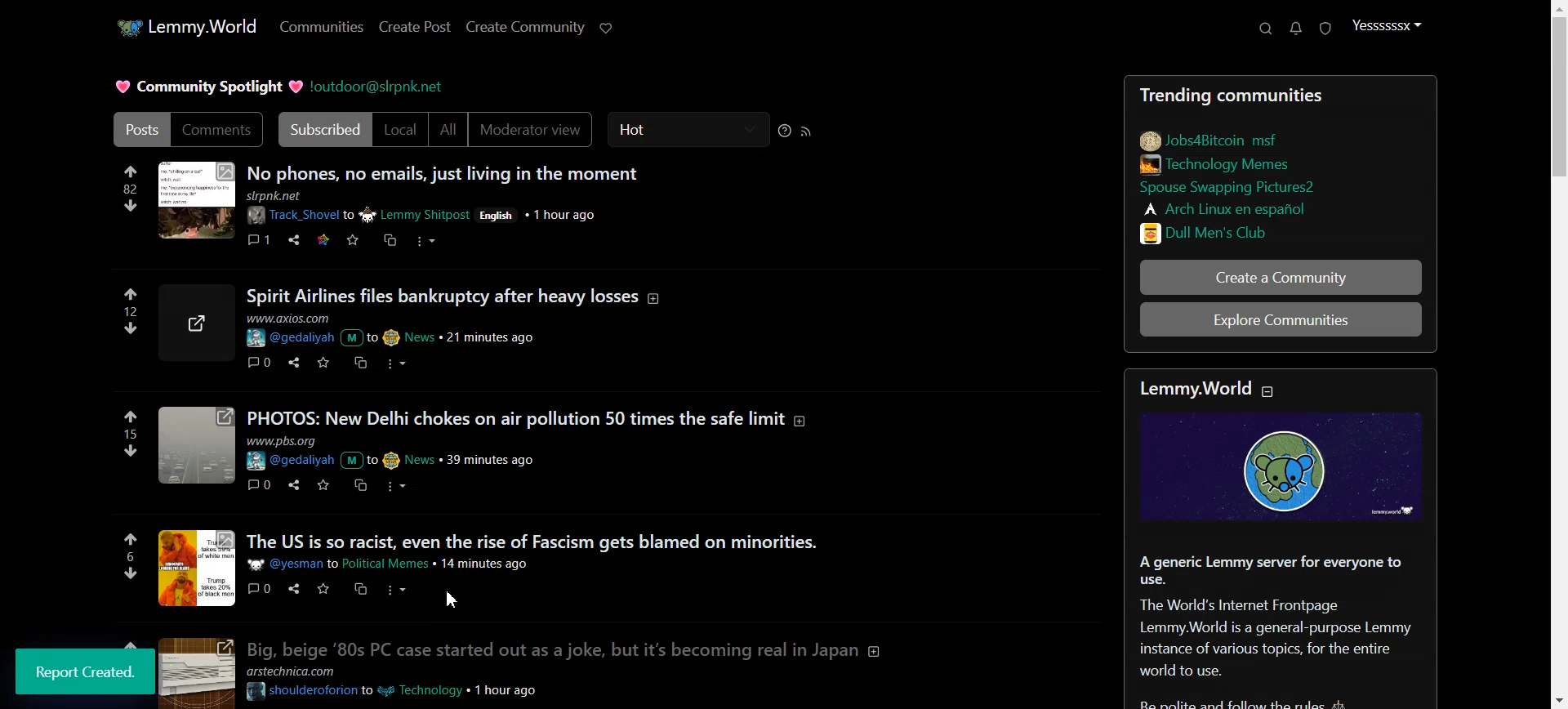  I want to click on cross post, so click(389, 239).